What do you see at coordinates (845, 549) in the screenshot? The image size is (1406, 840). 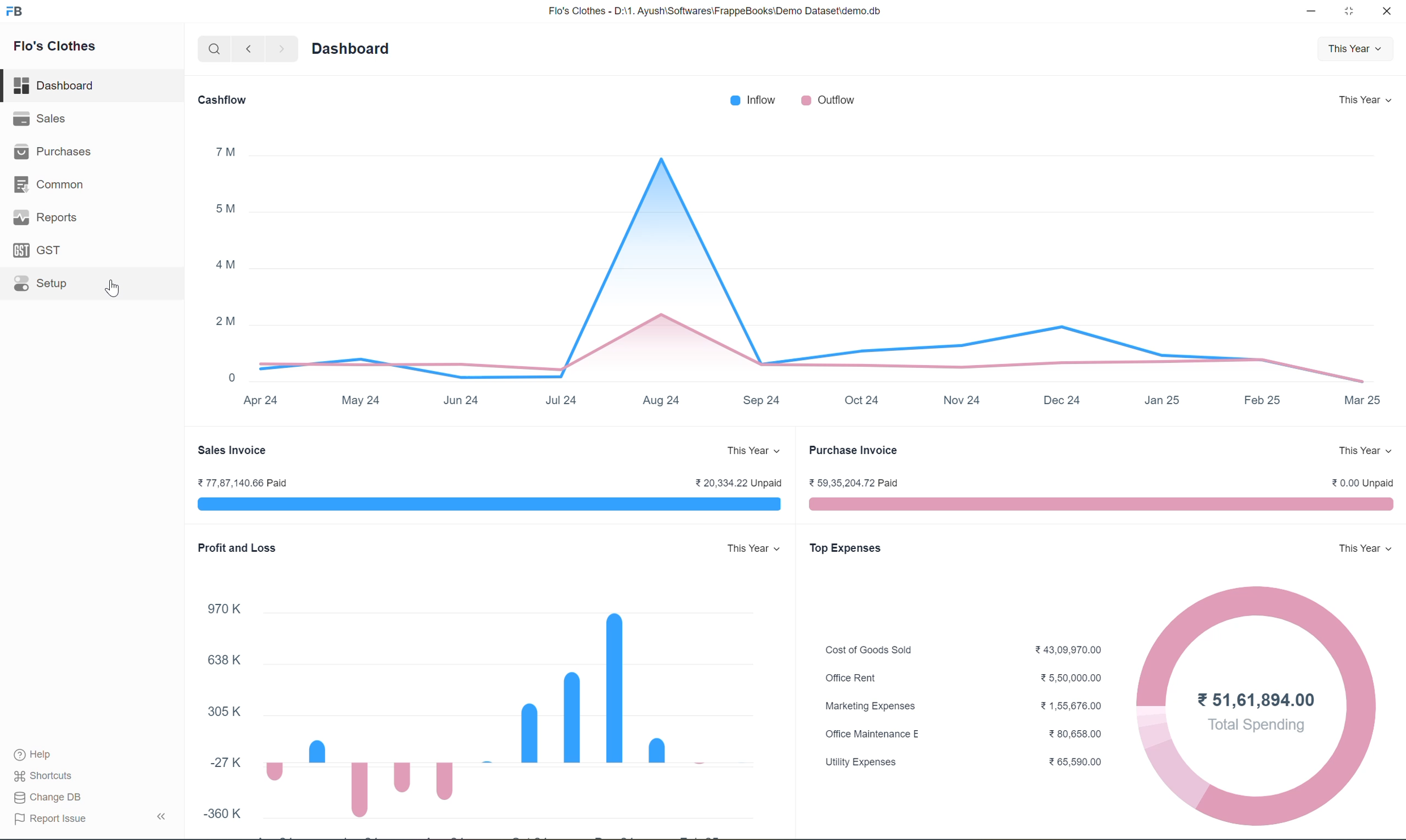 I see `Top Expenses` at bounding box center [845, 549].